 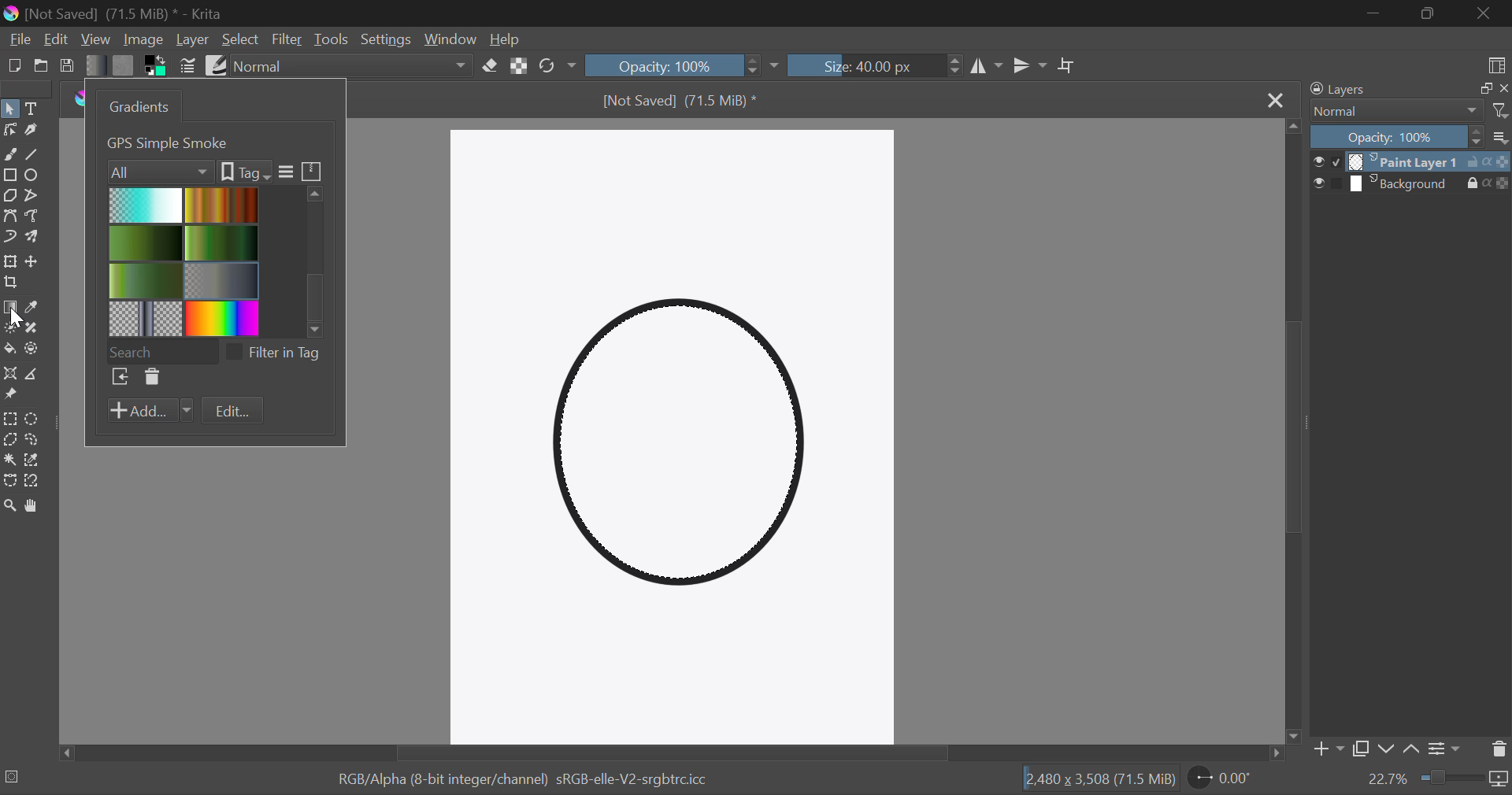 I want to click on Bezier Curve Selection, so click(x=10, y=483).